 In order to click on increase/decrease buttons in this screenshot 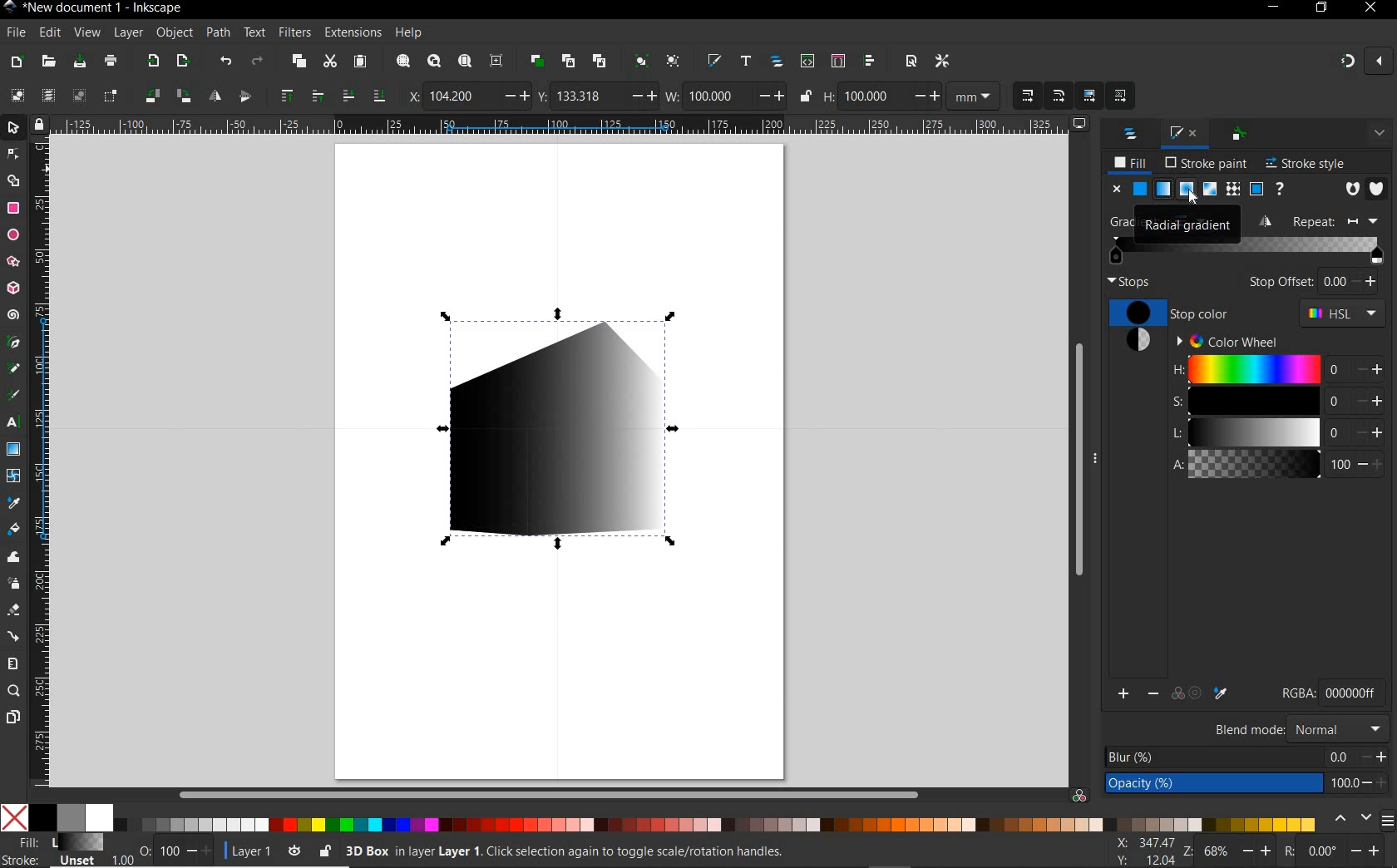, I will do `click(1371, 417)`.